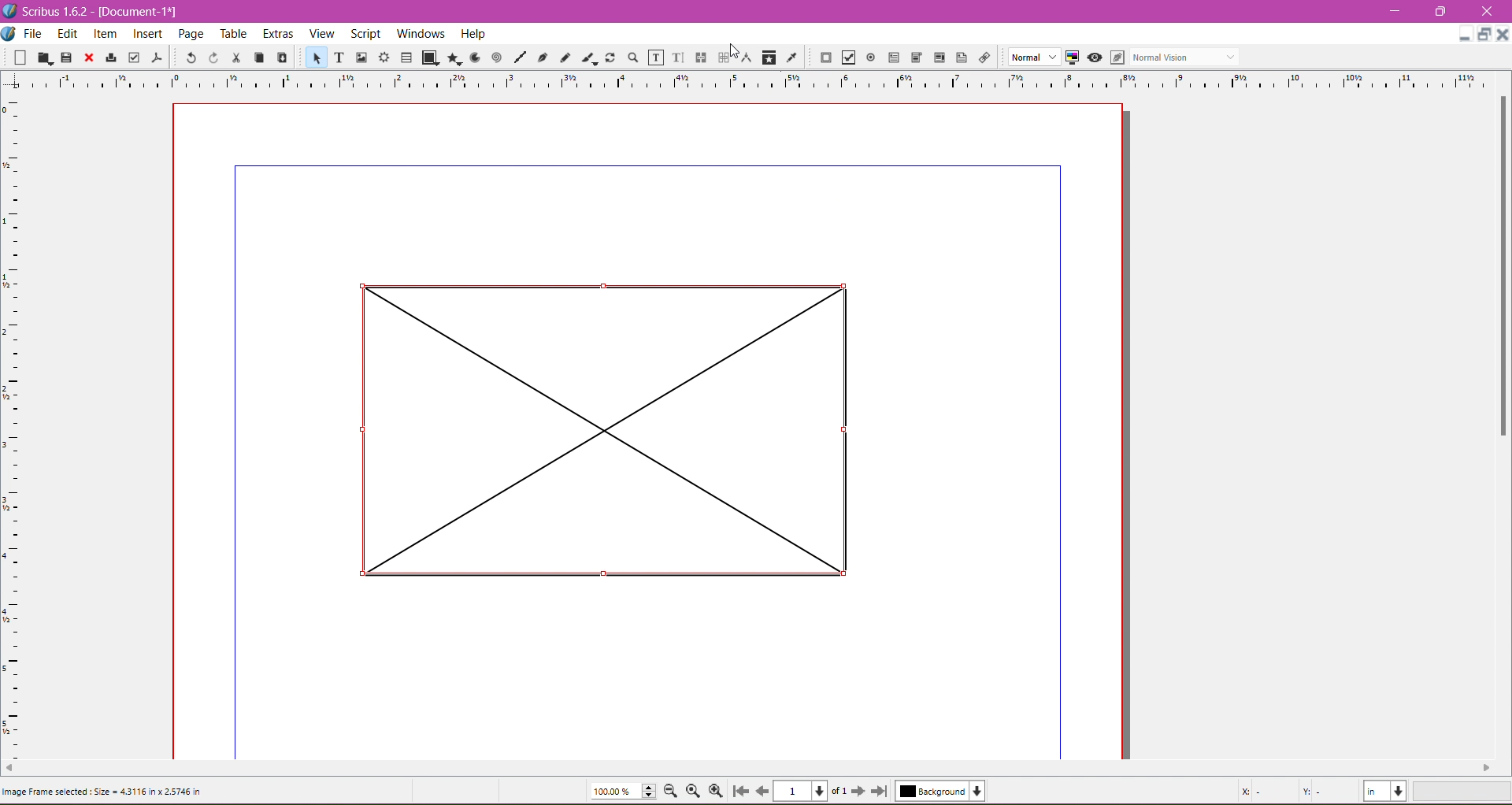 The image size is (1512, 805). I want to click on Minimize Document, so click(1485, 35).